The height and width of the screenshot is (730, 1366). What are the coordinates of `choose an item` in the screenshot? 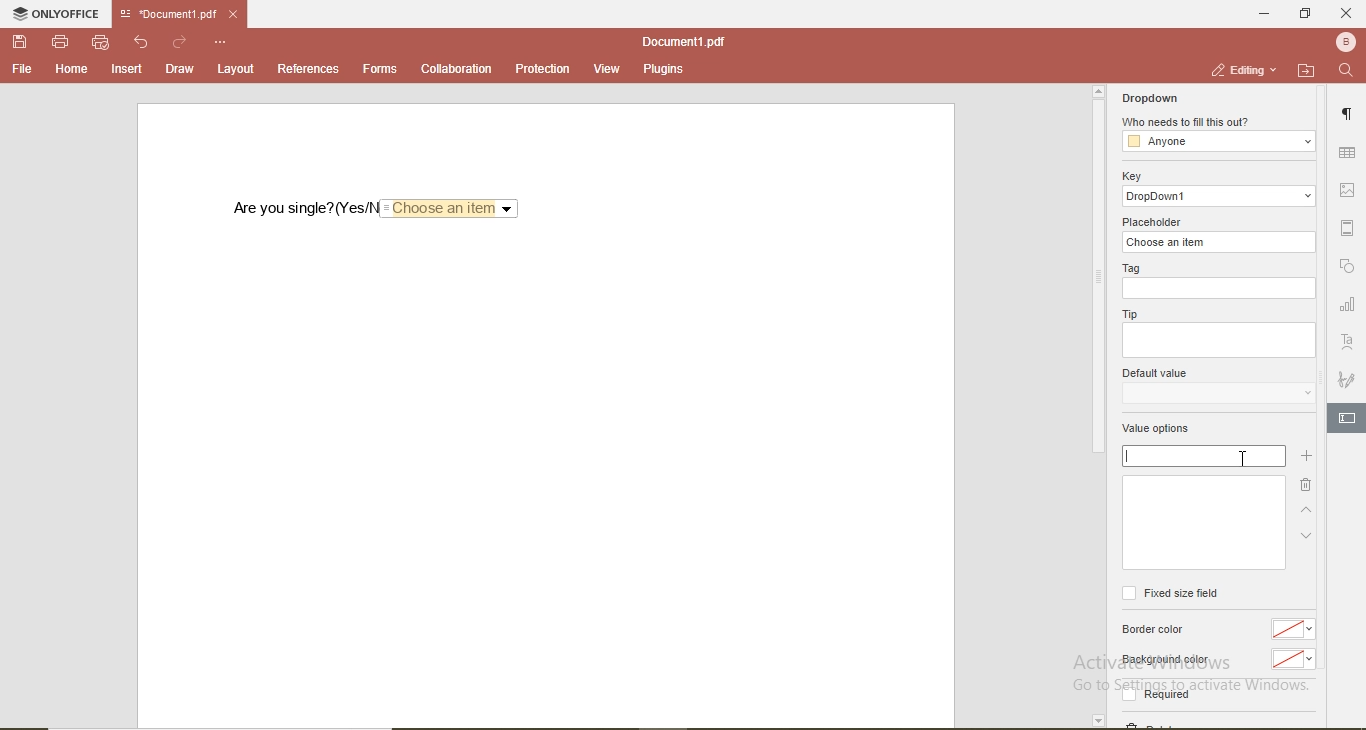 It's located at (1216, 243).